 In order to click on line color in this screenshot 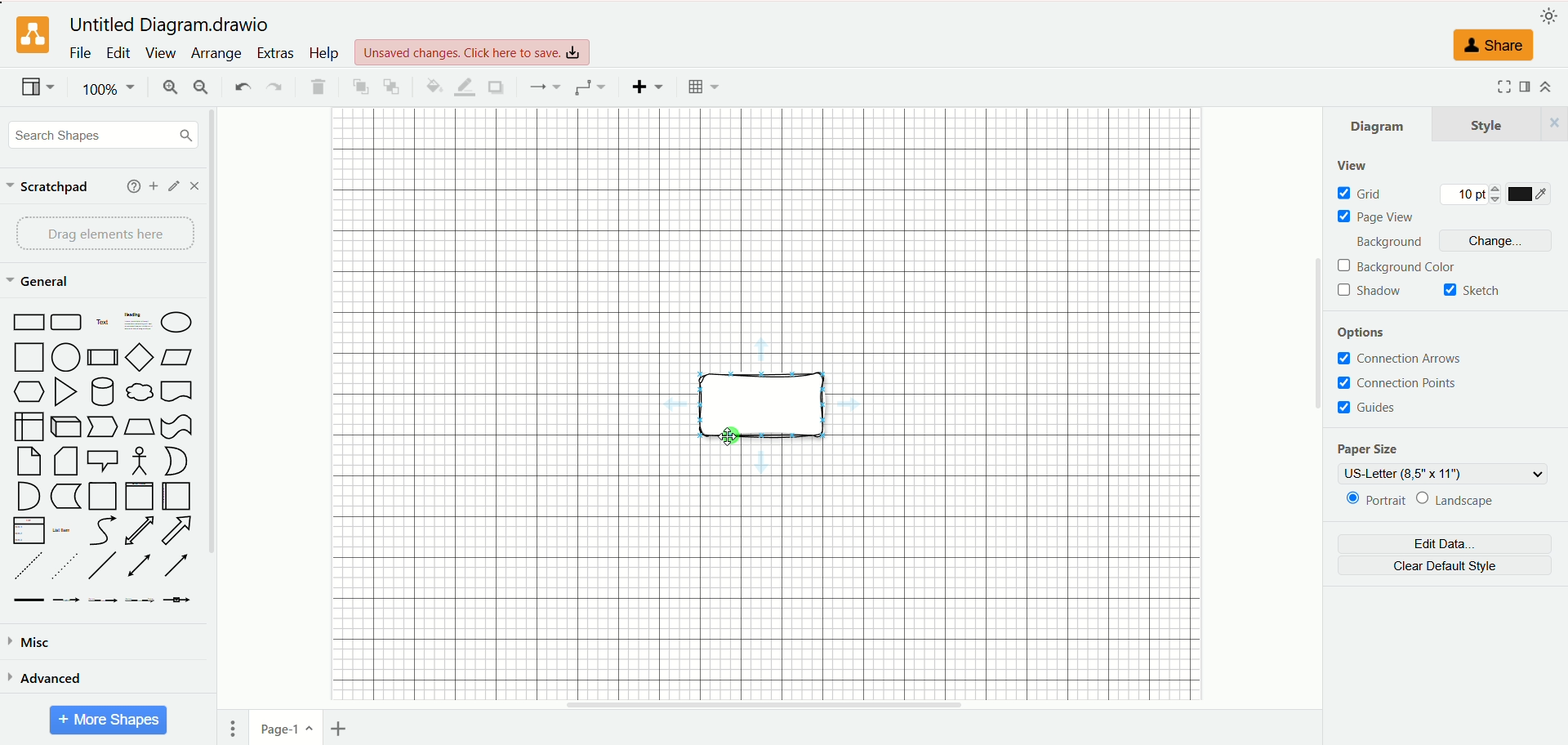, I will do `click(464, 87)`.